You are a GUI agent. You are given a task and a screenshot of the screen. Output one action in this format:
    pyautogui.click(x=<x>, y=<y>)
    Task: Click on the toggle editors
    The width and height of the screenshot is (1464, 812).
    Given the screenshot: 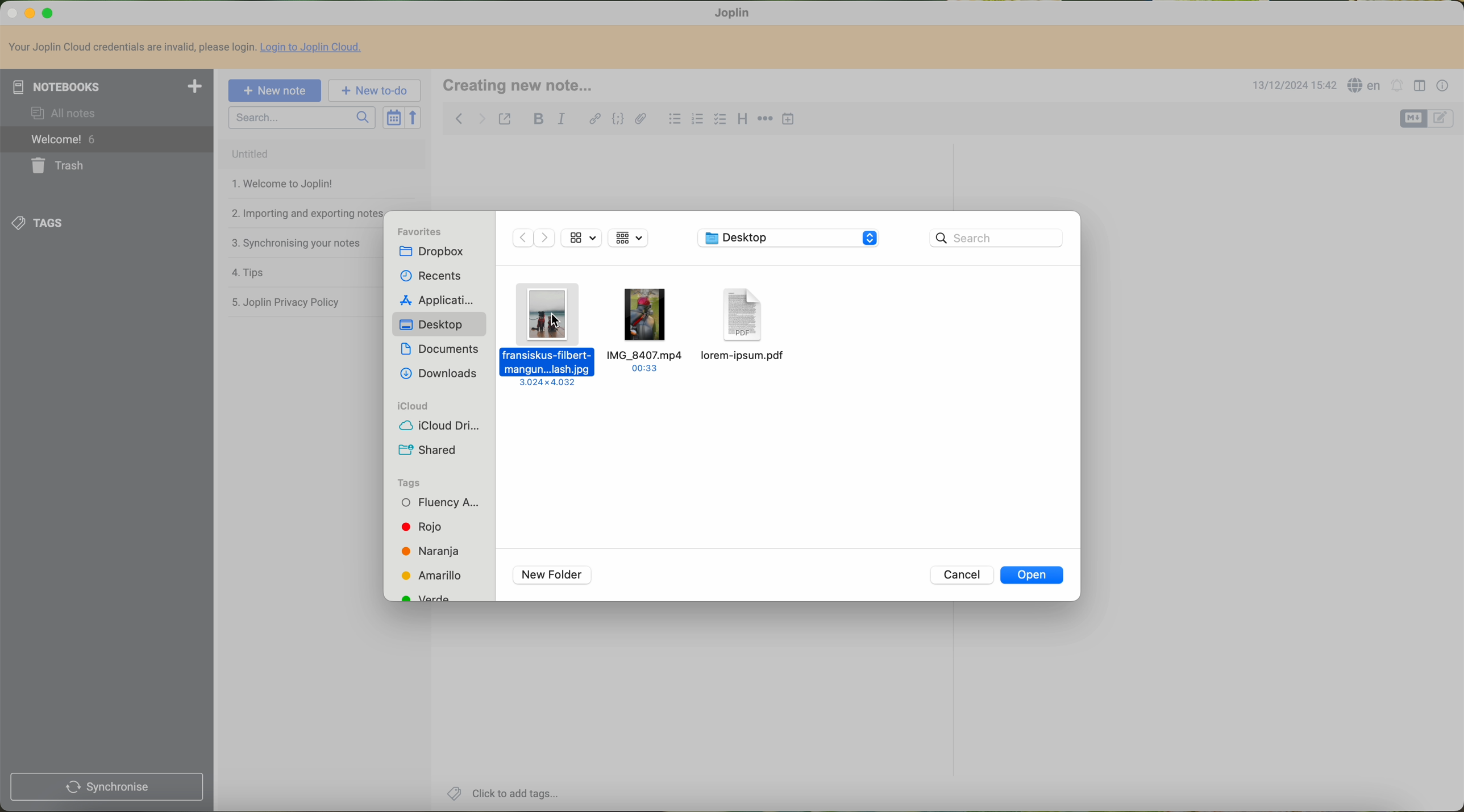 What is the action you would take?
    pyautogui.click(x=1443, y=120)
    